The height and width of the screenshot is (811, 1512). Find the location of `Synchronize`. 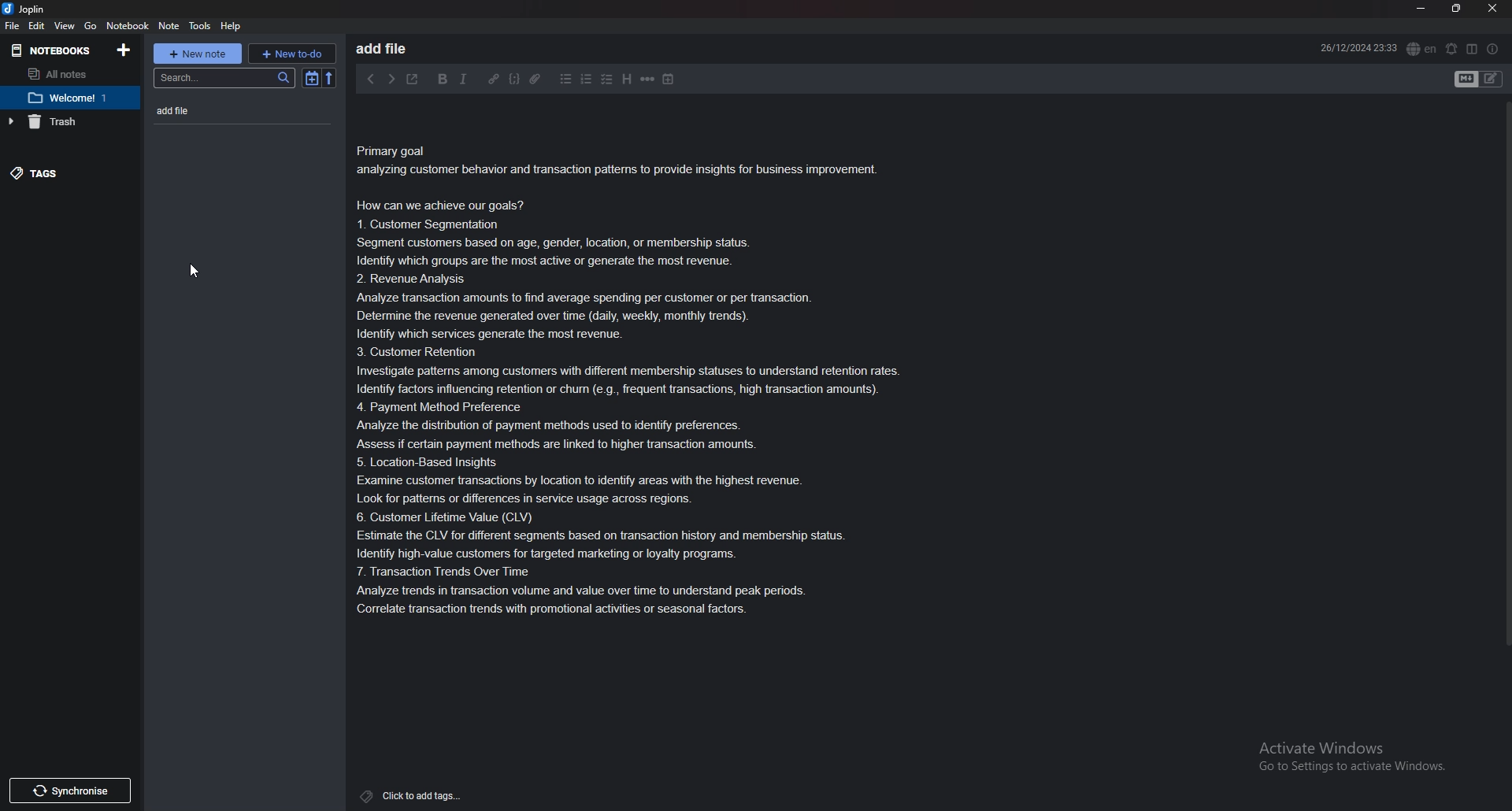

Synchronize is located at coordinates (69, 791).